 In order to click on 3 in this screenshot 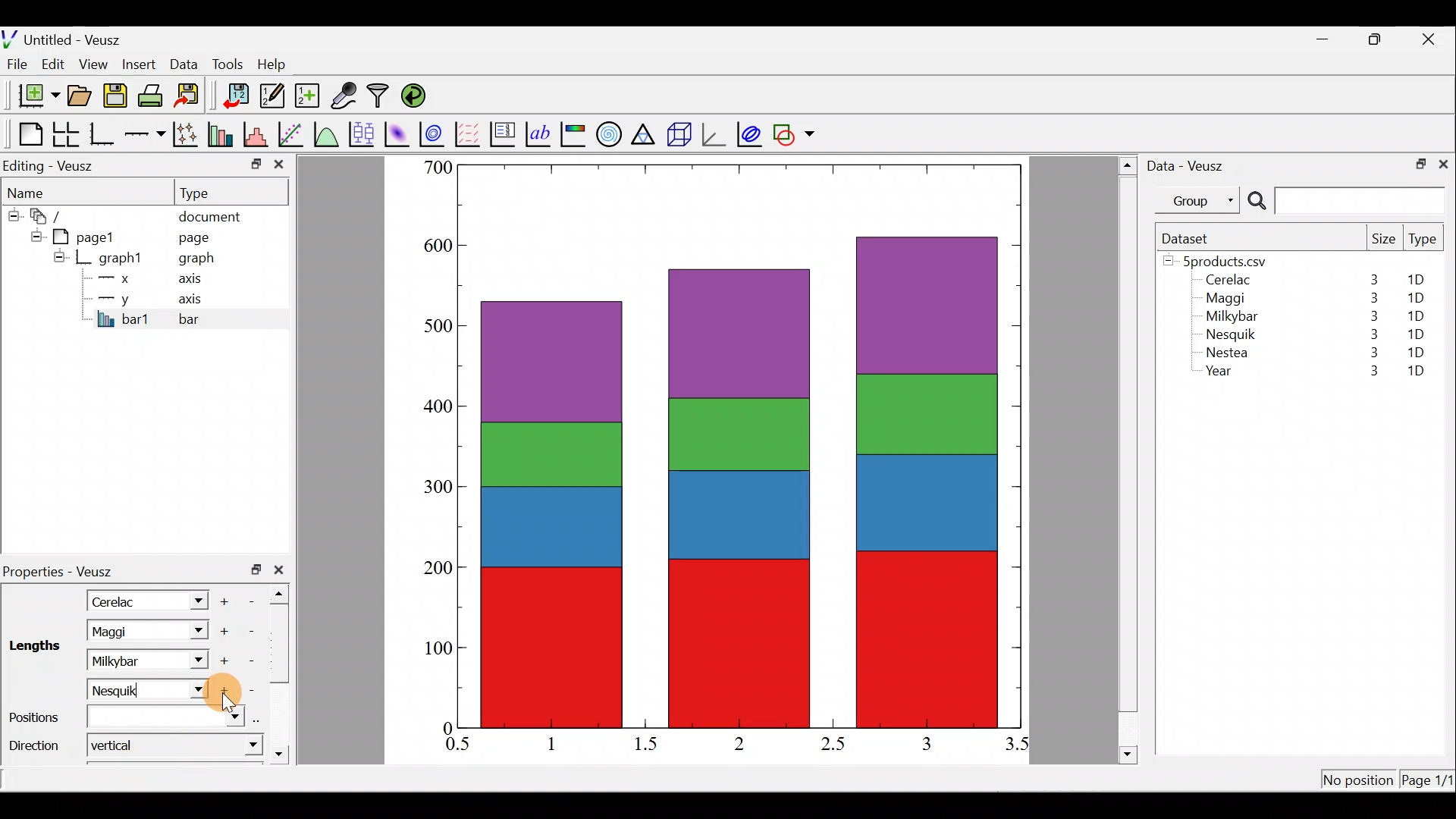, I will do `click(1373, 279)`.